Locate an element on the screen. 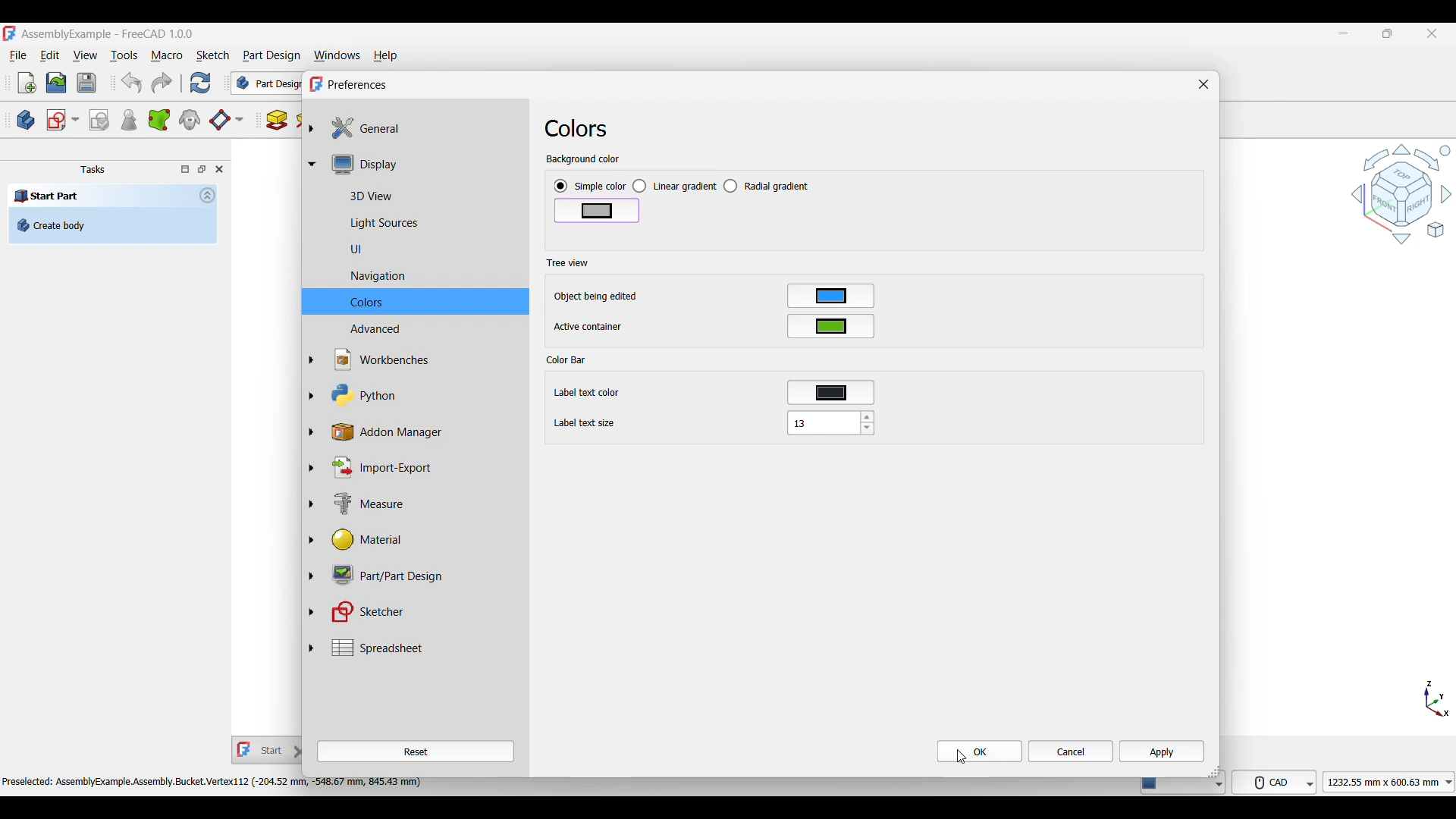 Image resolution: width=1456 pixels, height=819 pixels. Light sources is located at coordinates (423, 224).